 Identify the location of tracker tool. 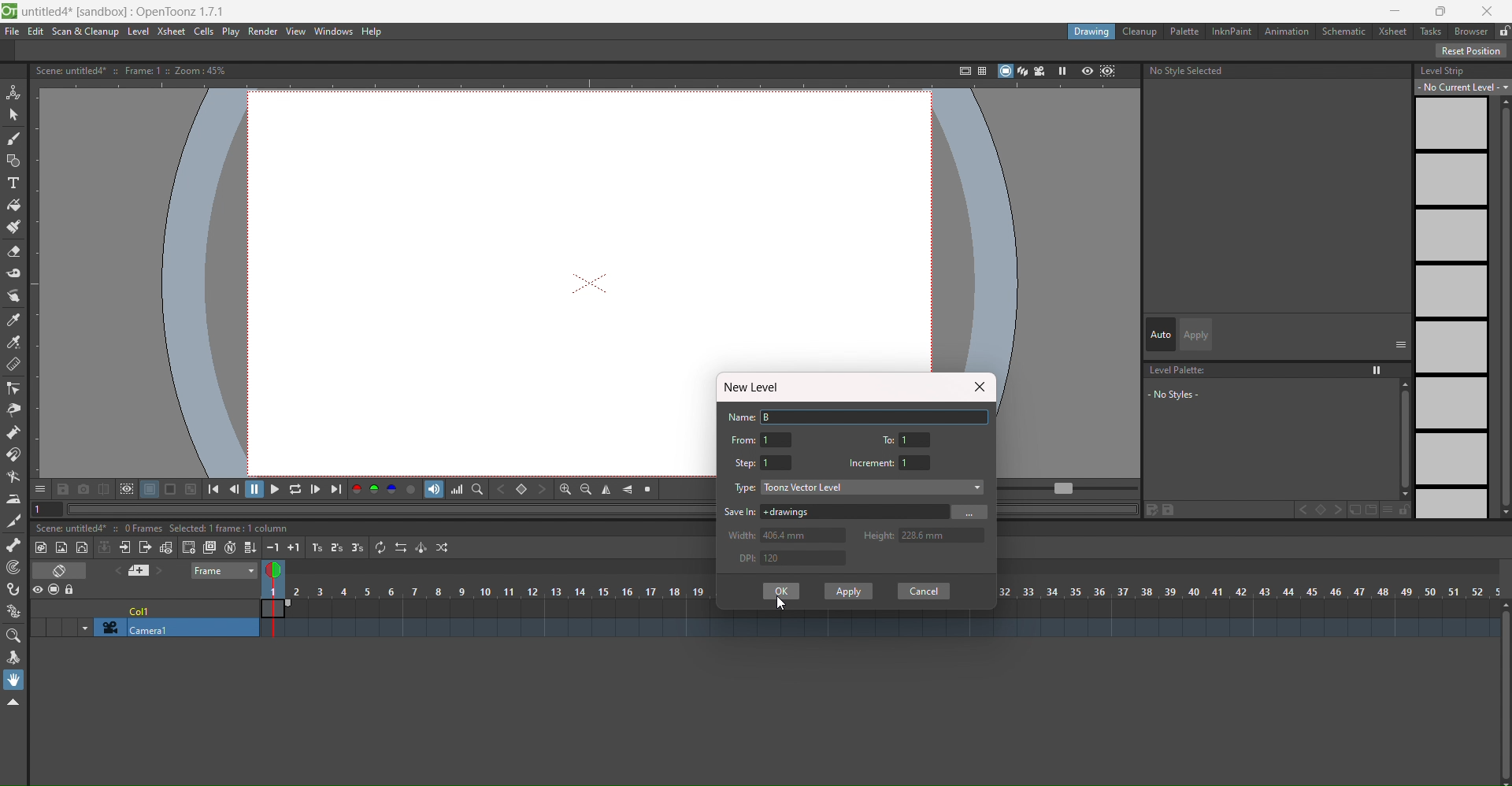
(13, 569).